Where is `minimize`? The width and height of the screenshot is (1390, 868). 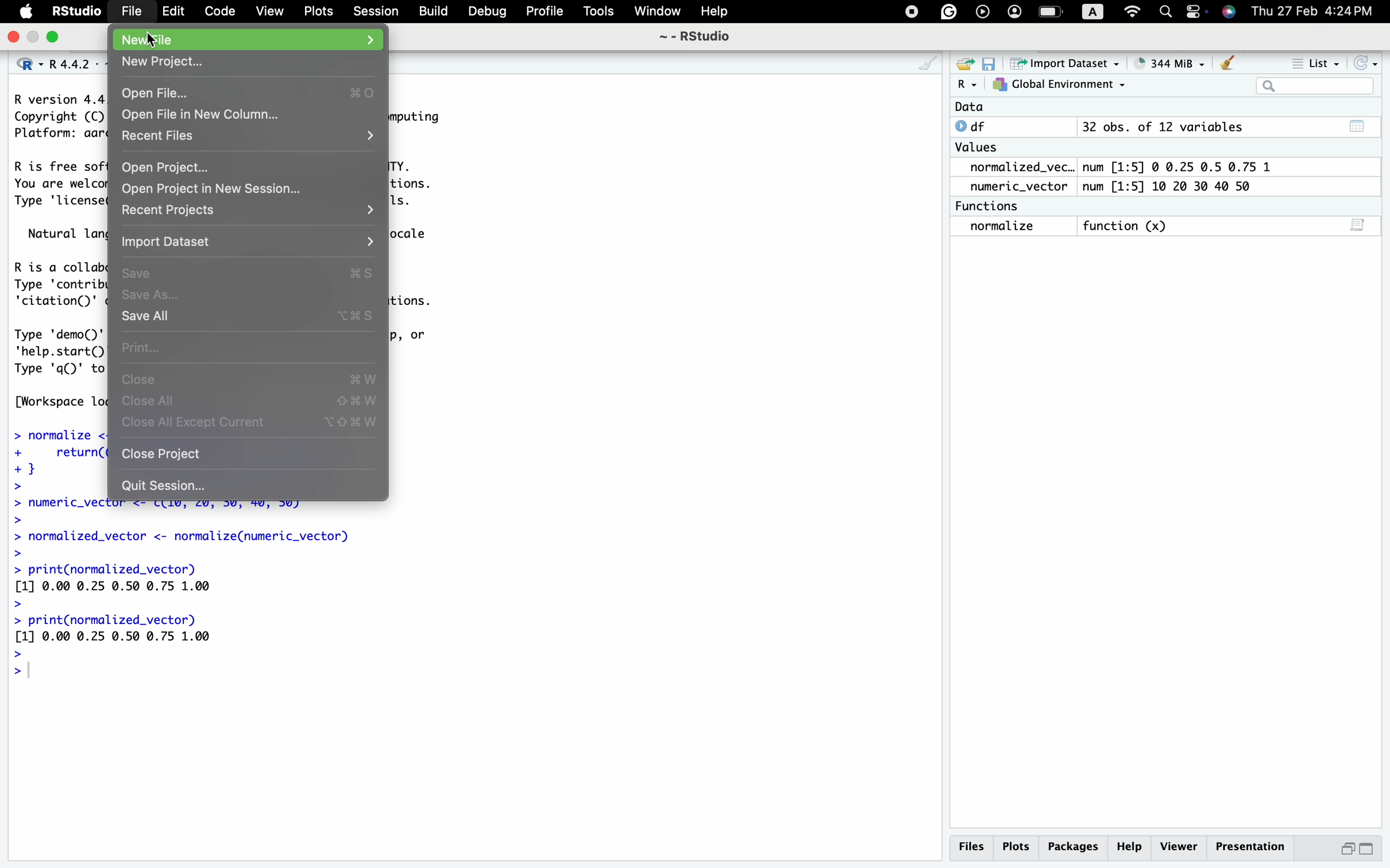
minimize is located at coordinates (1347, 850).